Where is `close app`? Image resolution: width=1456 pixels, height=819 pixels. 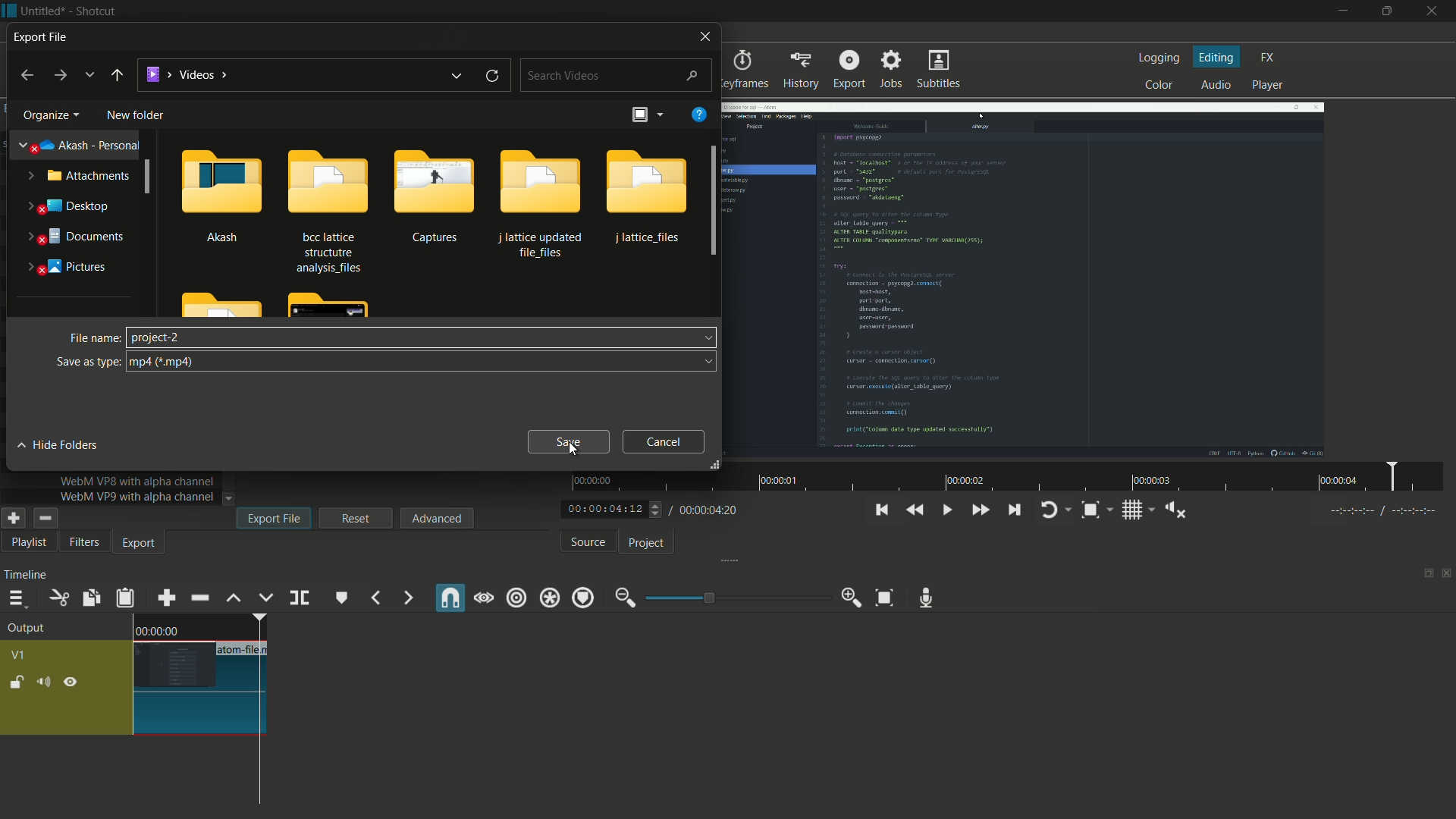 close app is located at coordinates (1436, 12).